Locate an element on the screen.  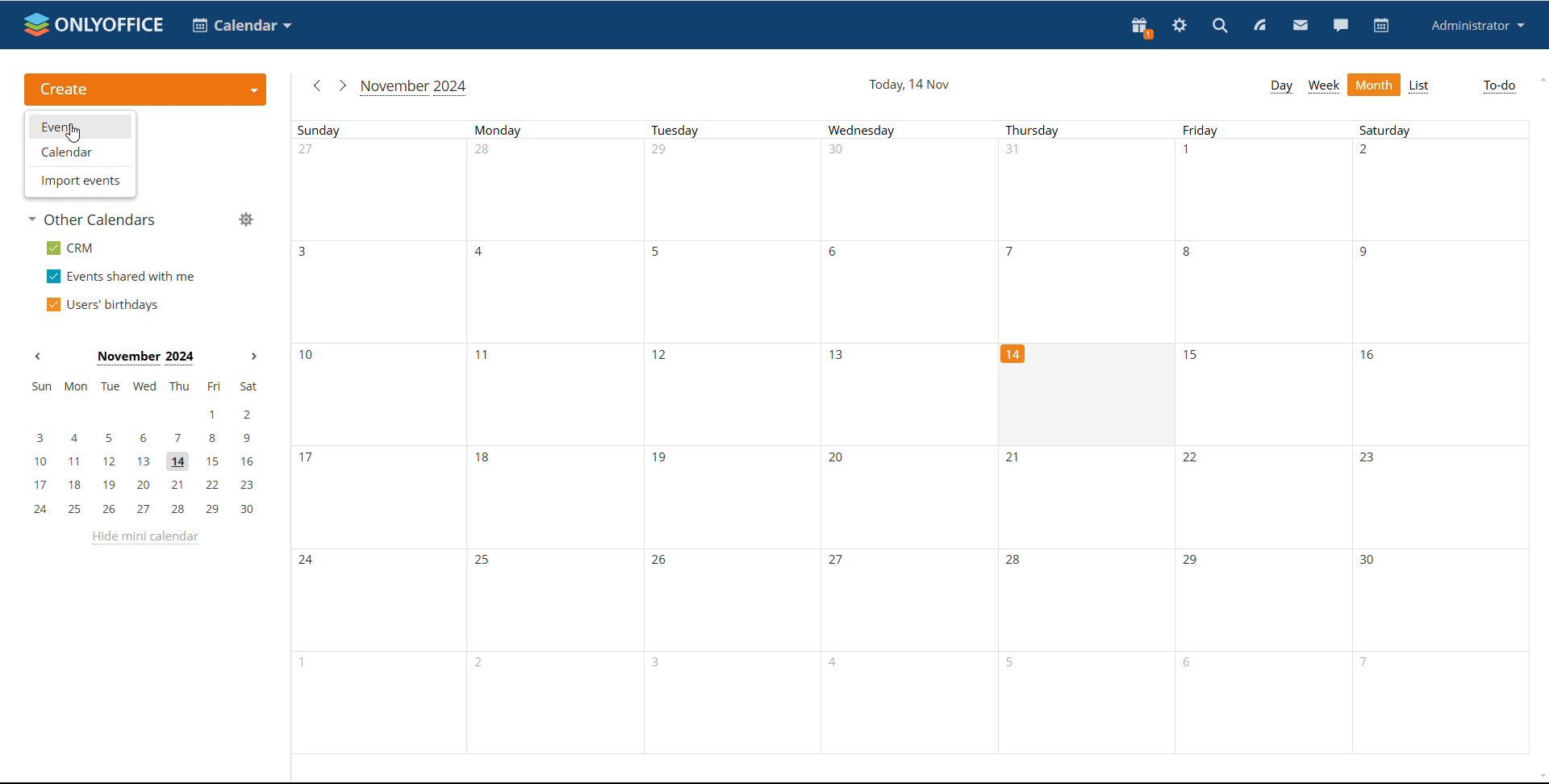
chat is located at coordinates (1341, 26).